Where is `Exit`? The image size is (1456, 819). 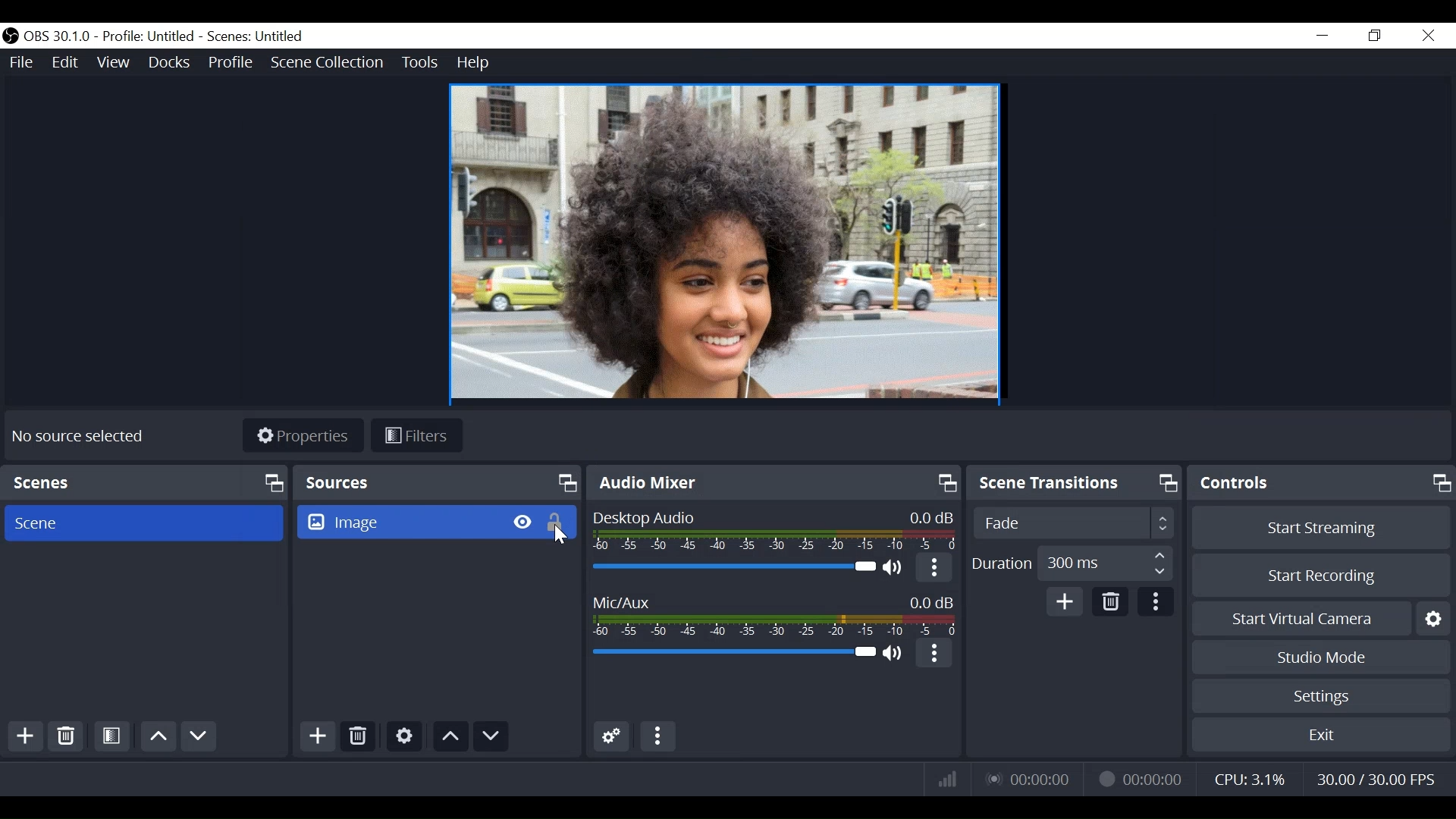 Exit is located at coordinates (1320, 736).